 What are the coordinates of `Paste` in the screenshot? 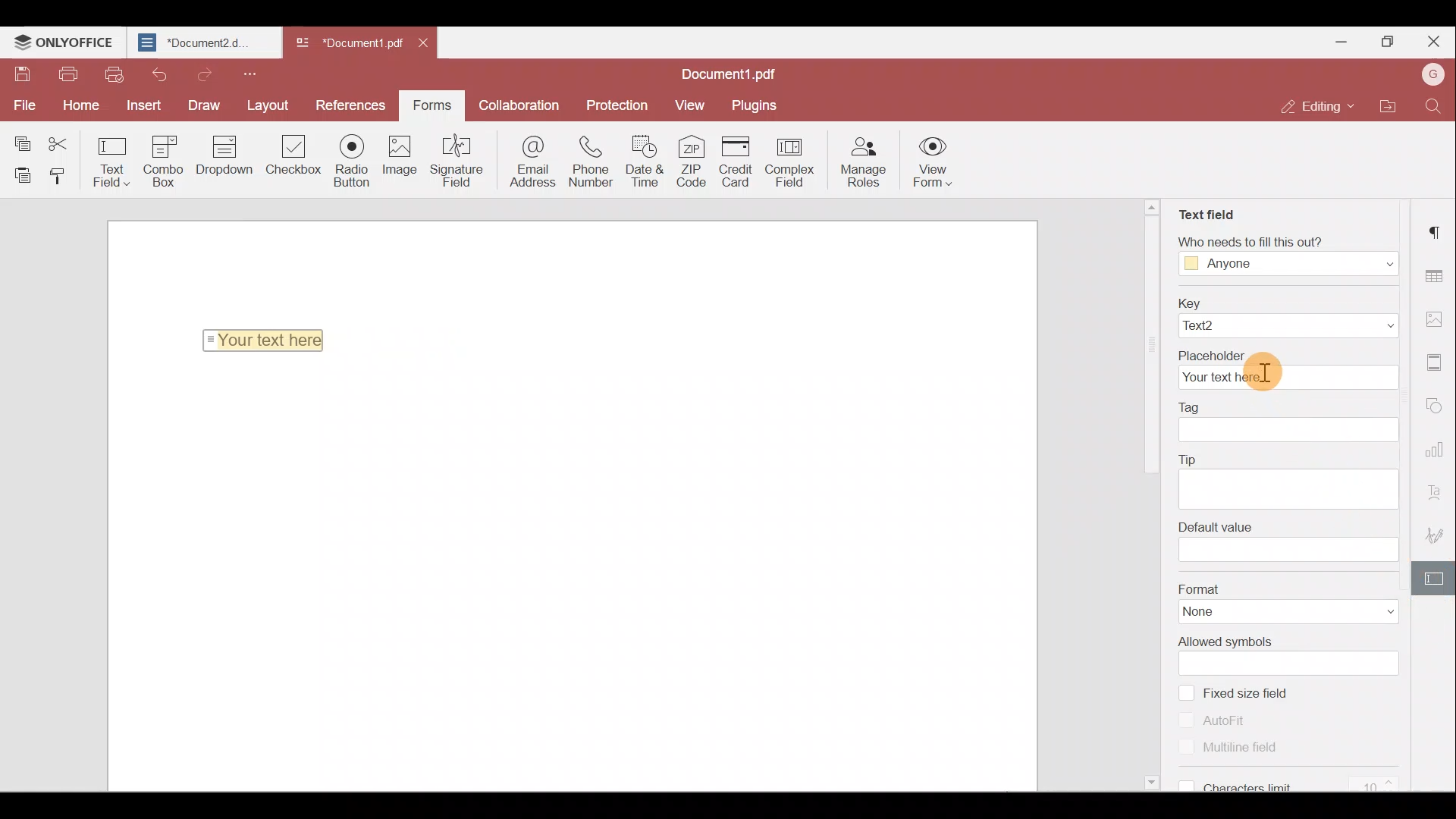 It's located at (19, 174).